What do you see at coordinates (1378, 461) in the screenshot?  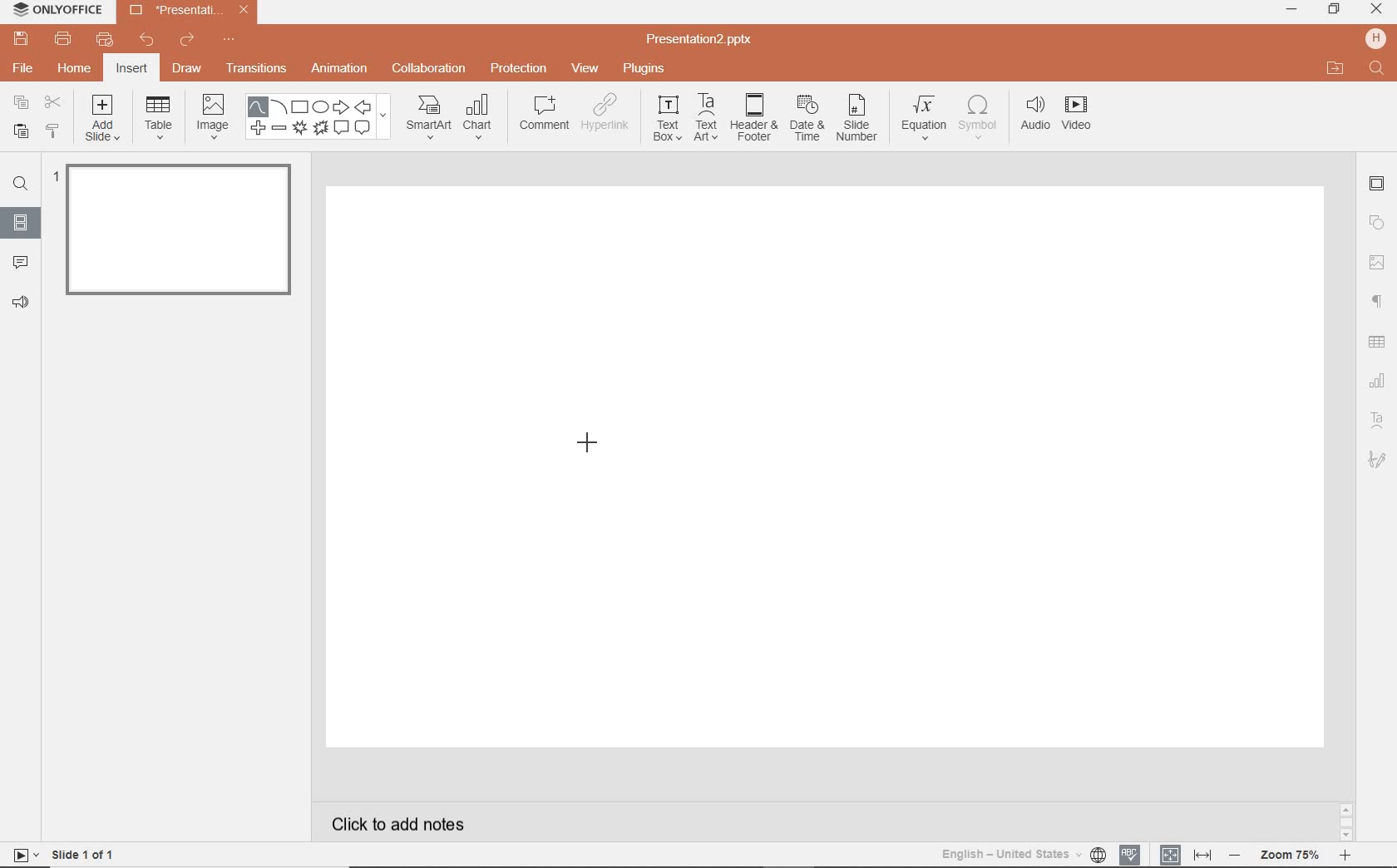 I see `SIGNATURE` at bounding box center [1378, 461].